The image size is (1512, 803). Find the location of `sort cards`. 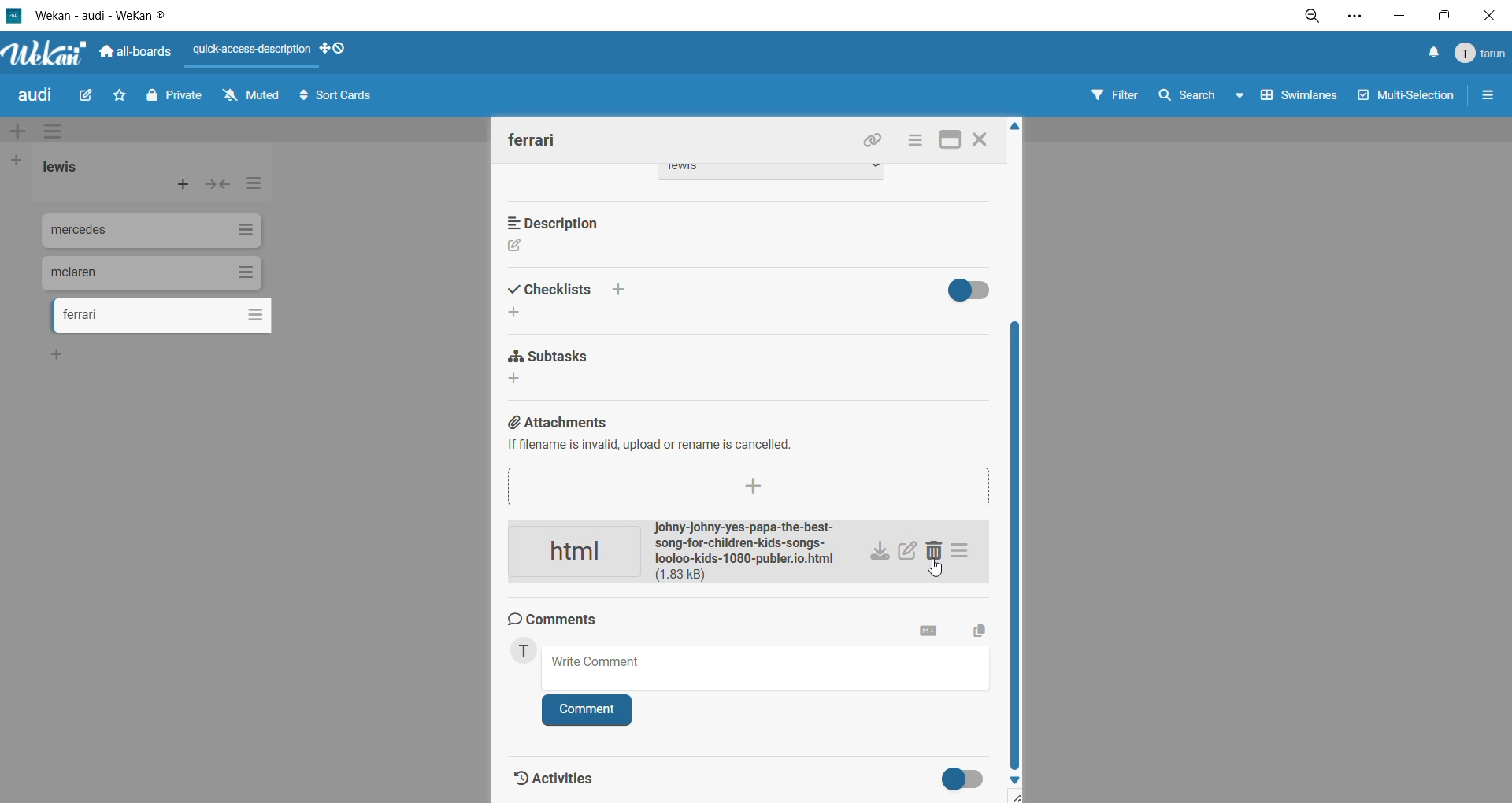

sort cards is located at coordinates (343, 98).